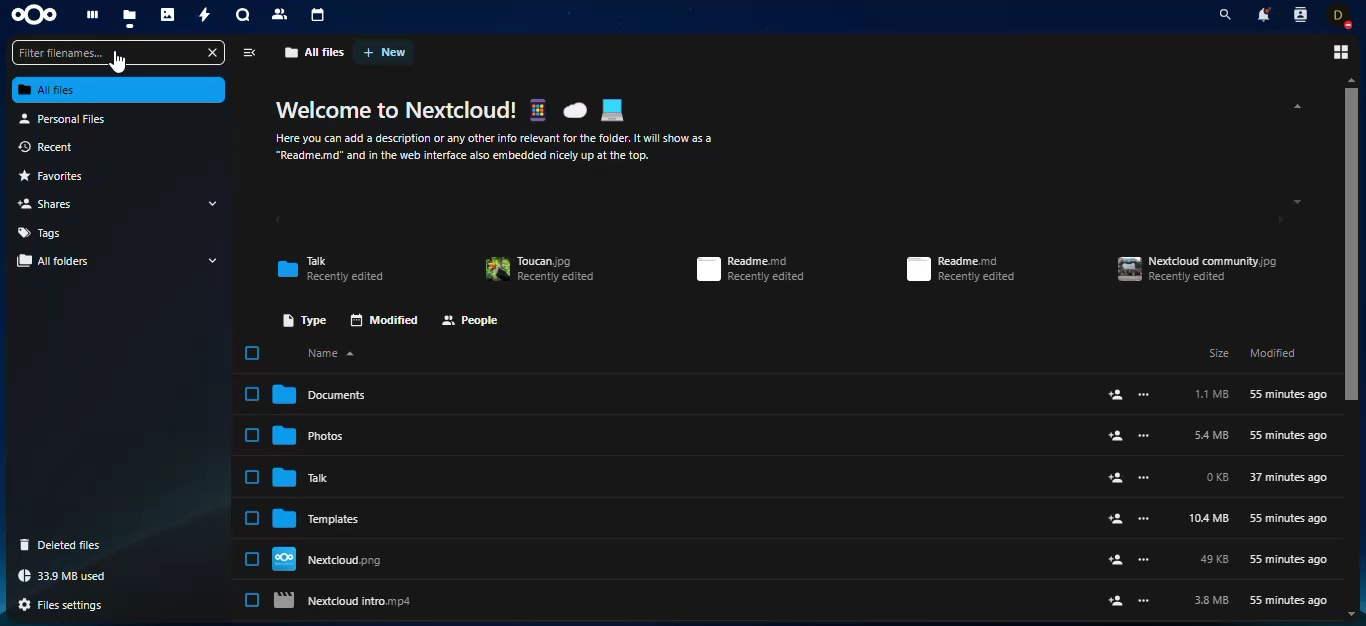 This screenshot has width=1366, height=626. Describe the element at coordinates (206, 16) in the screenshot. I see `activity` at that location.